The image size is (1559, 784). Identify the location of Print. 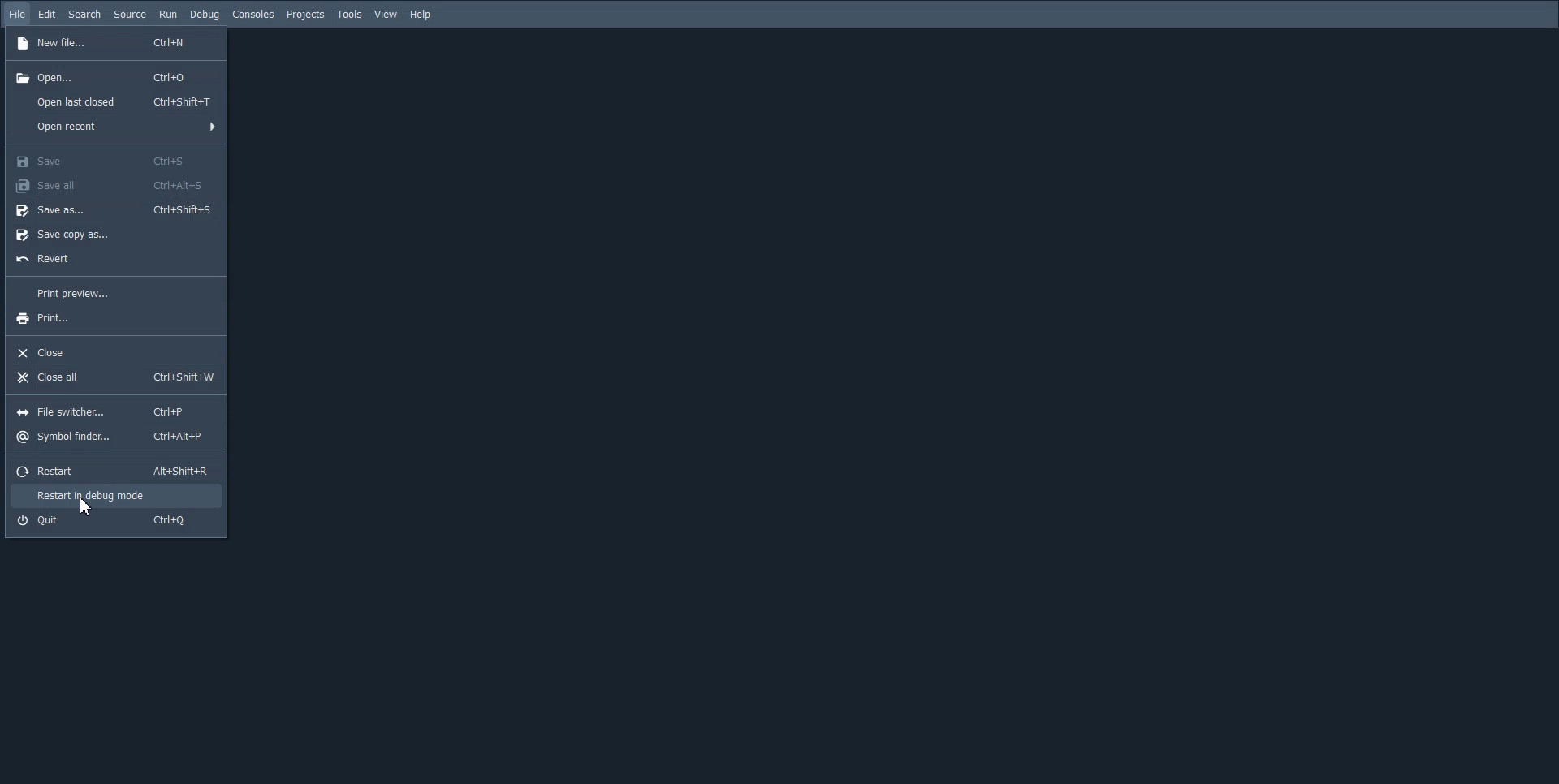
(113, 318).